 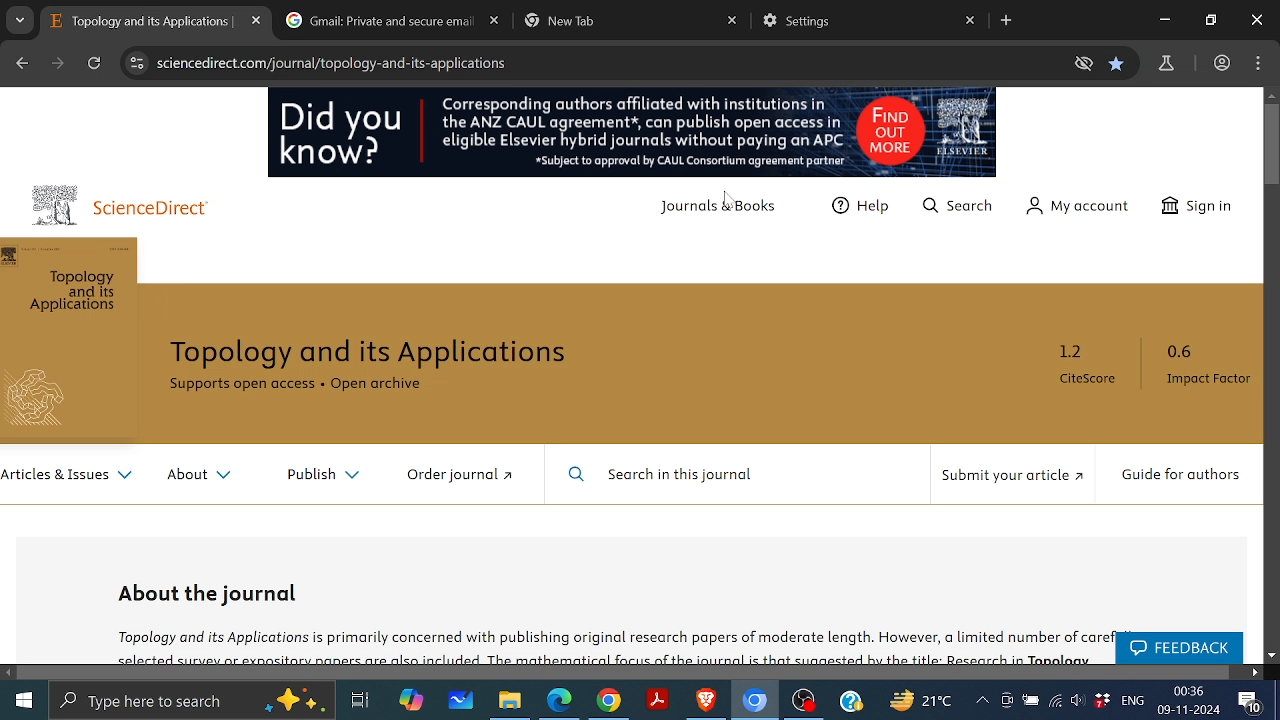 What do you see at coordinates (1272, 656) in the screenshot?
I see `move down` at bounding box center [1272, 656].